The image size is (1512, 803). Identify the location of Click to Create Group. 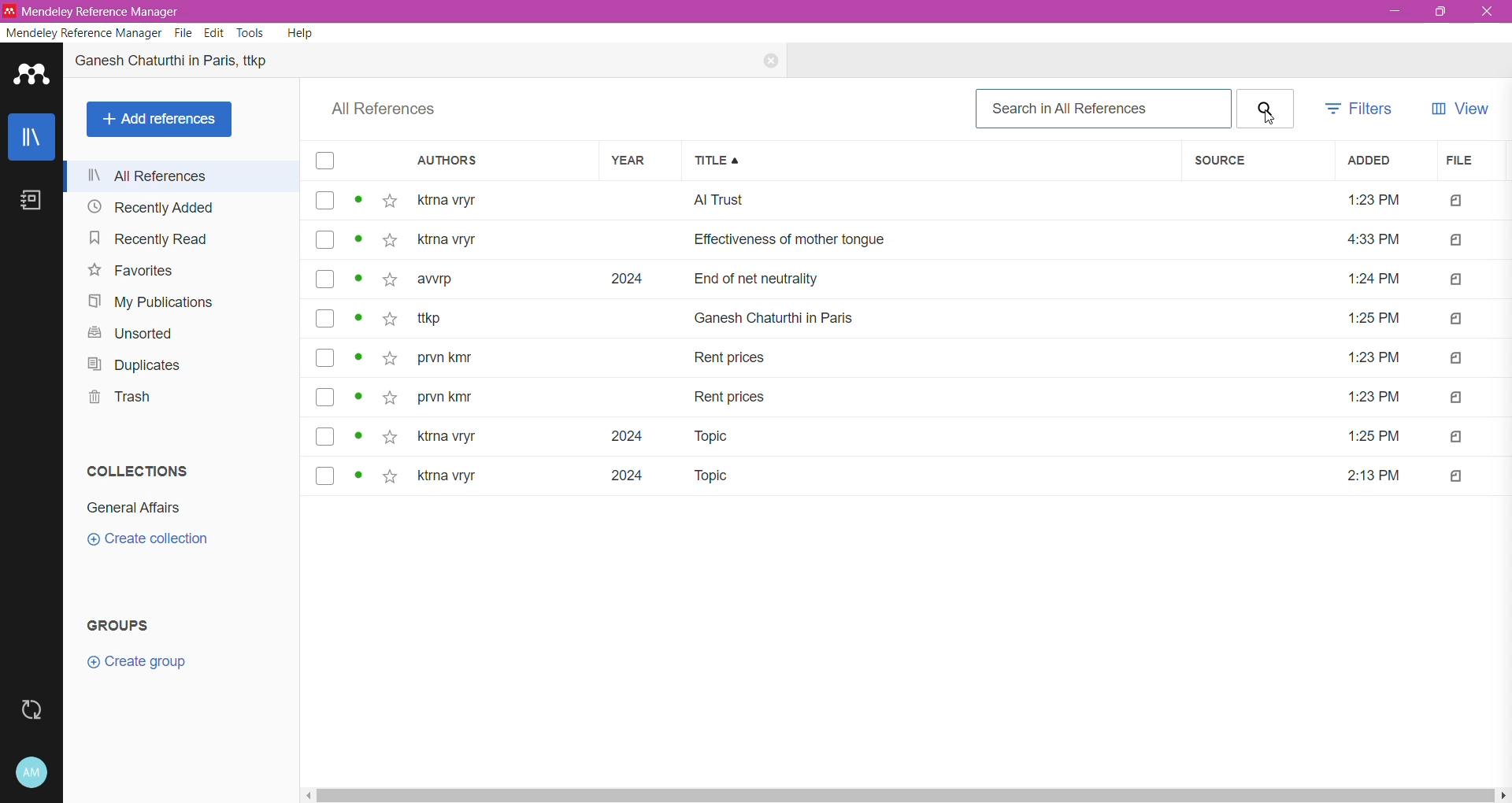
(135, 666).